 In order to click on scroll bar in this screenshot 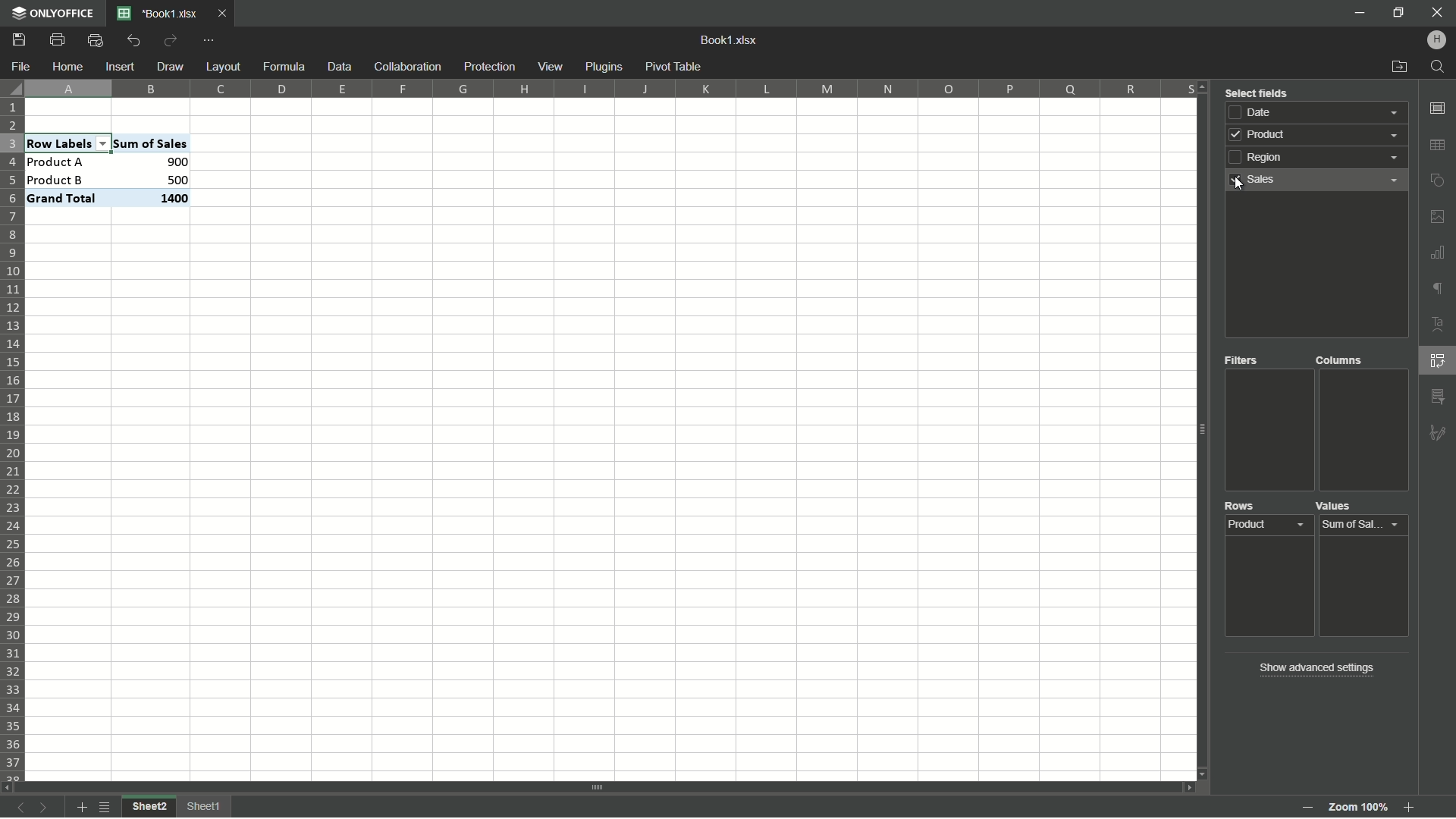, I will do `click(599, 786)`.